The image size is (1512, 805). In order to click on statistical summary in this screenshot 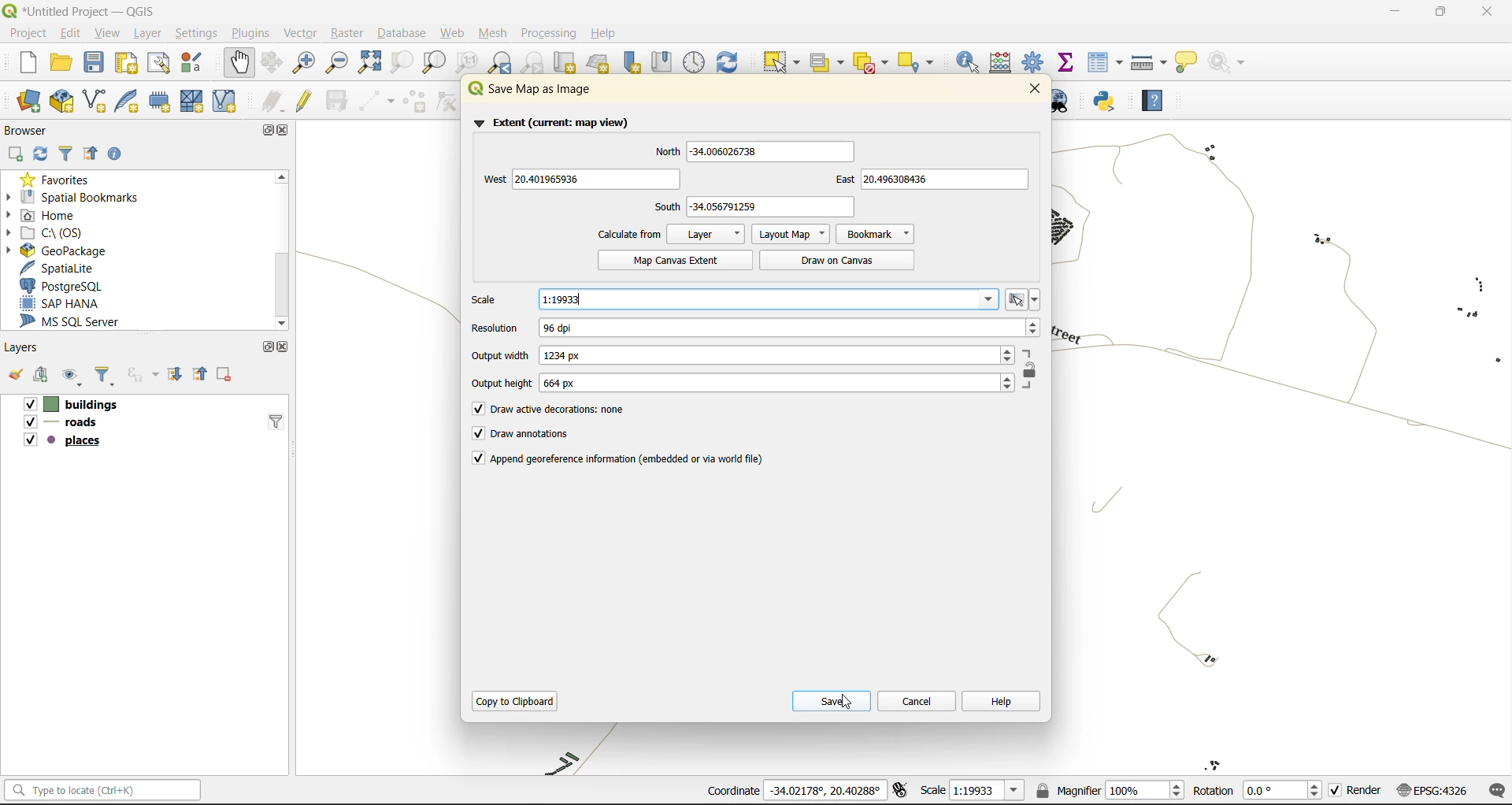, I will do `click(1066, 64)`.